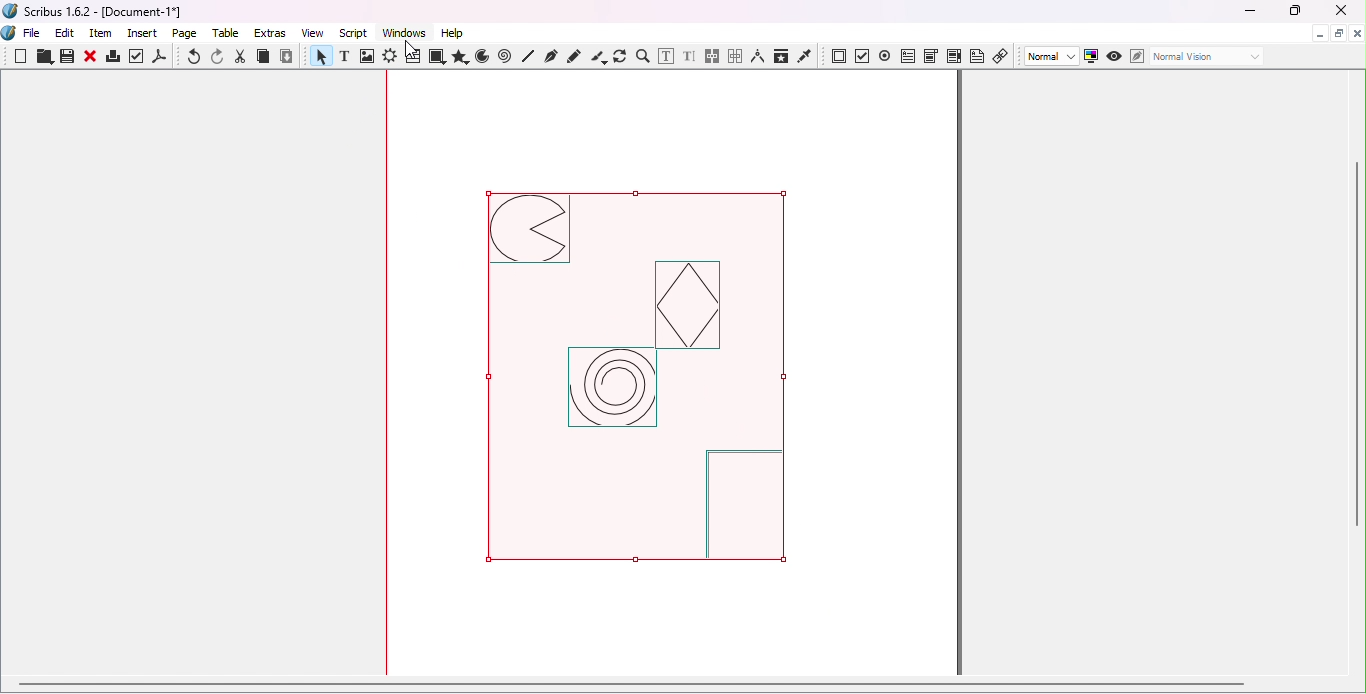  I want to click on Measurements, so click(757, 56).